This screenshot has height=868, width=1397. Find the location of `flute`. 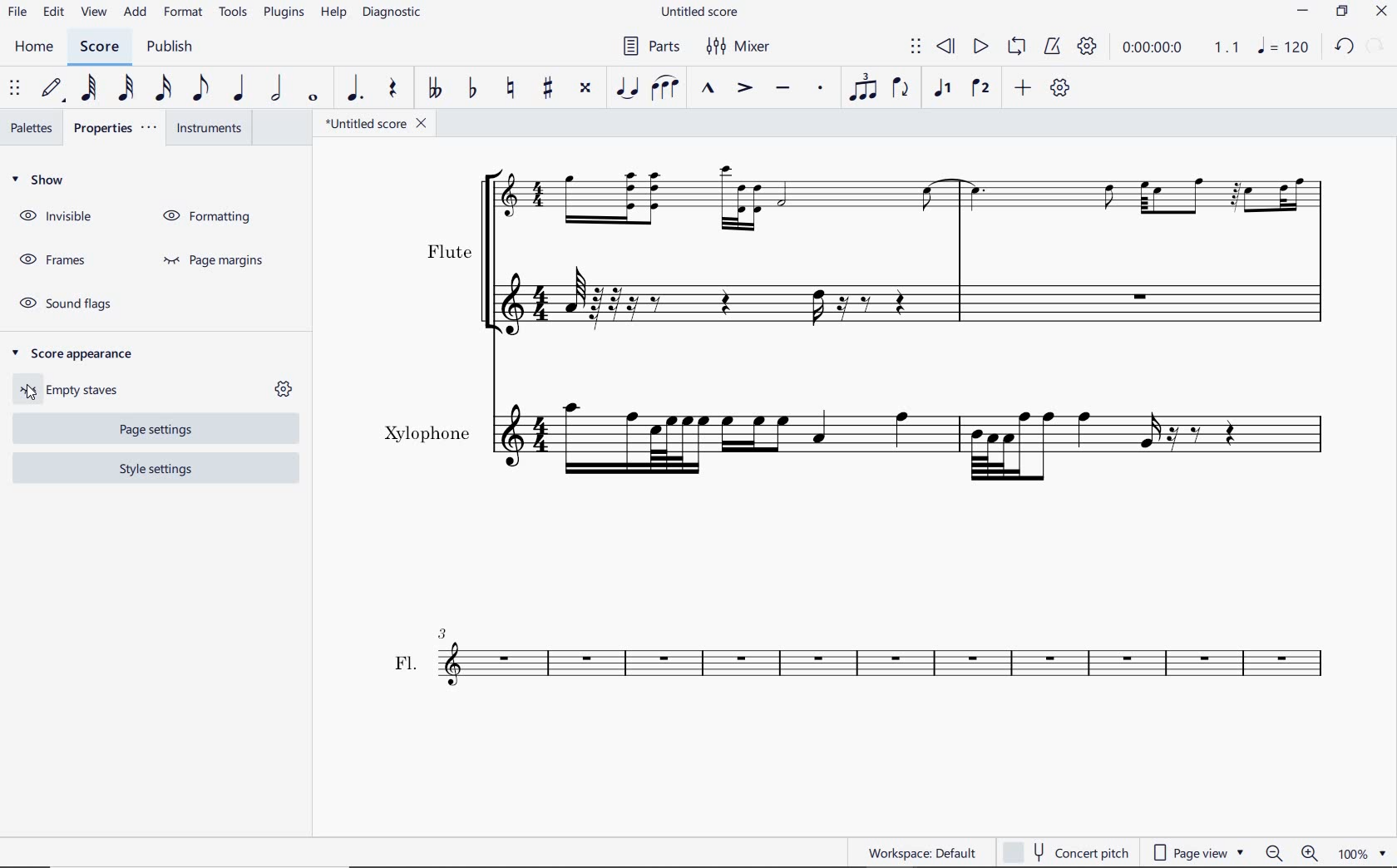

flute is located at coordinates (876, 258).